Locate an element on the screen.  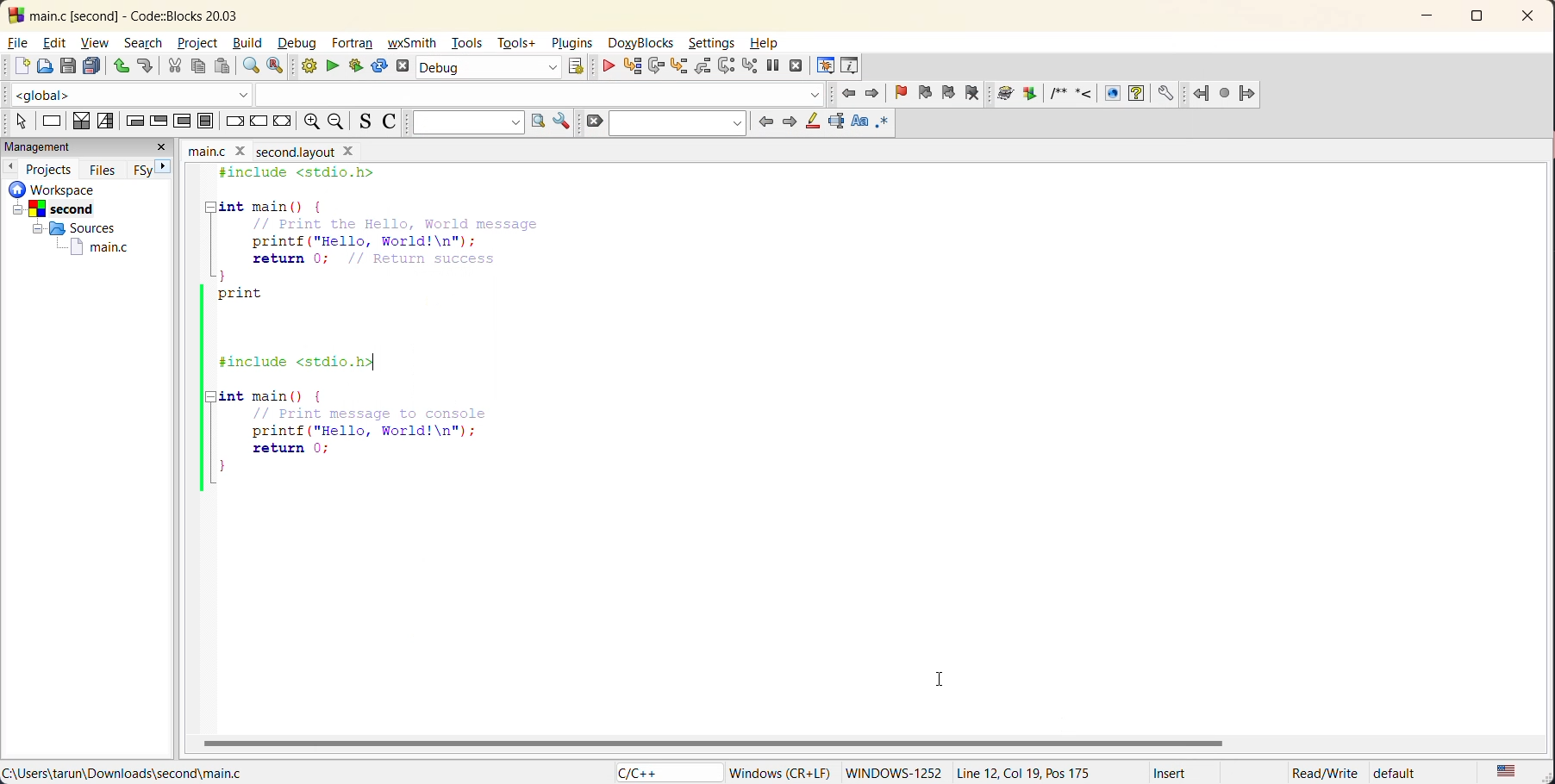
windows is located at coordinates (891, 772).